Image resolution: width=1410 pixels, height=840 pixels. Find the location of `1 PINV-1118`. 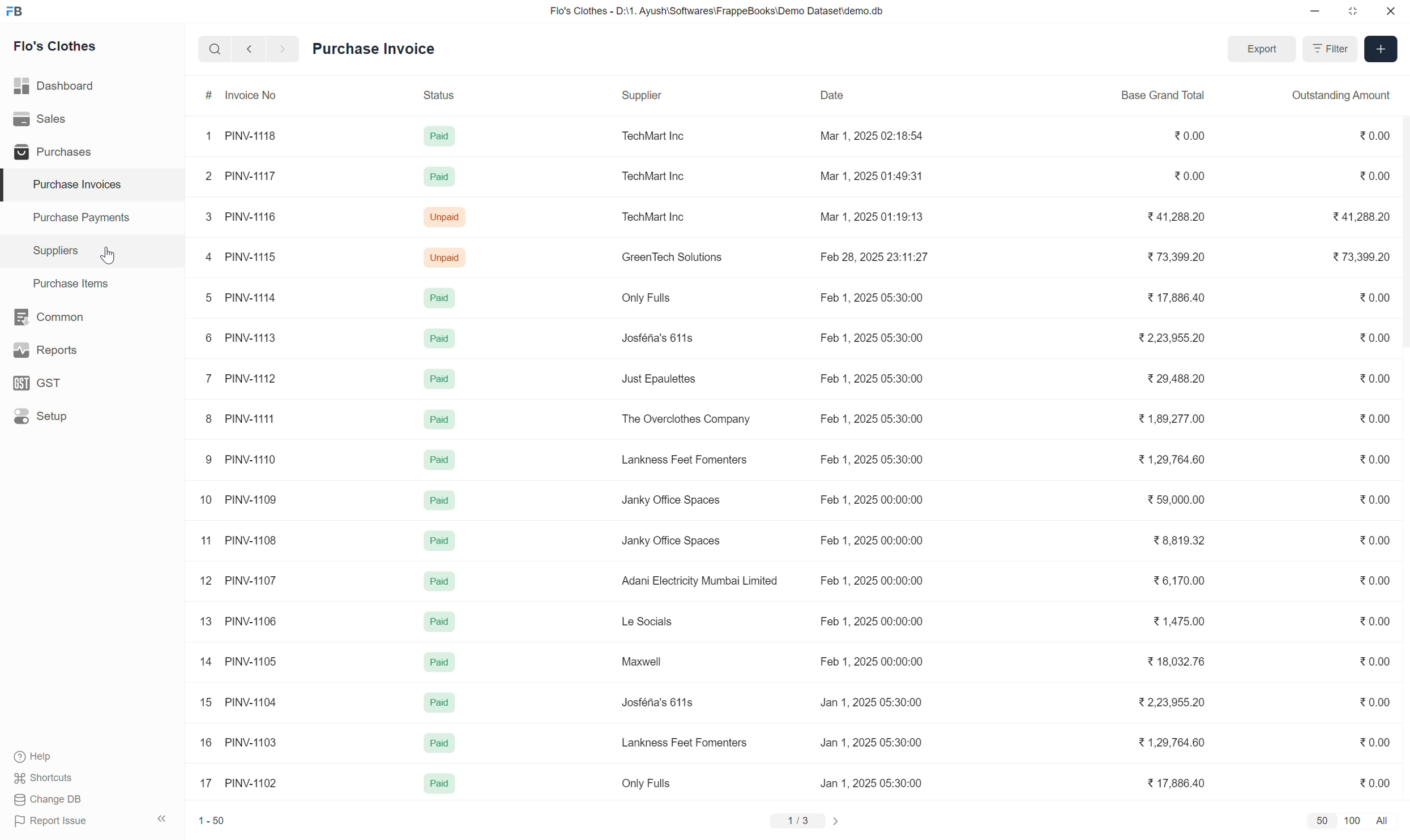

1 PINV-1118 is located at coordinates (236, 135).